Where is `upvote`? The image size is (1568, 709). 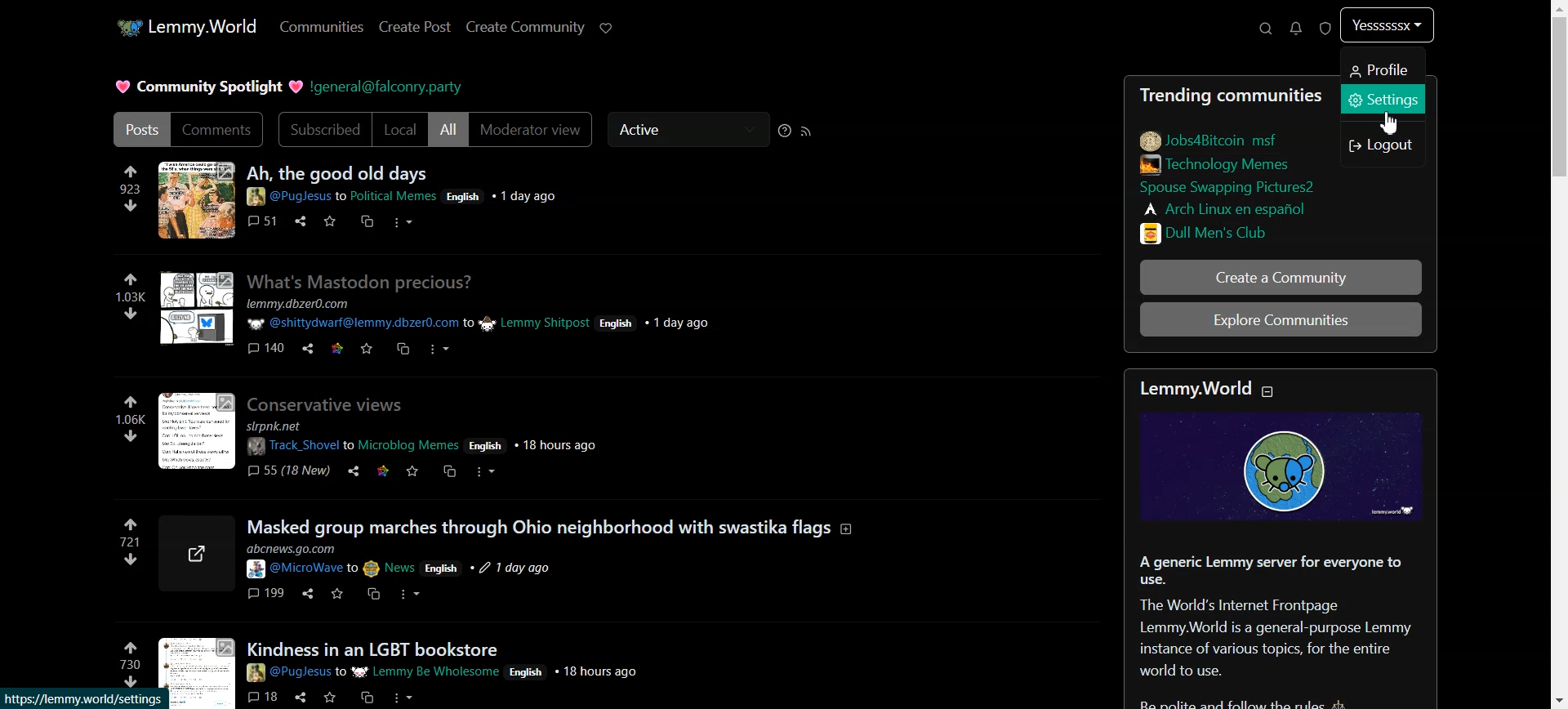 upvote is located at coordinates (131, 524).